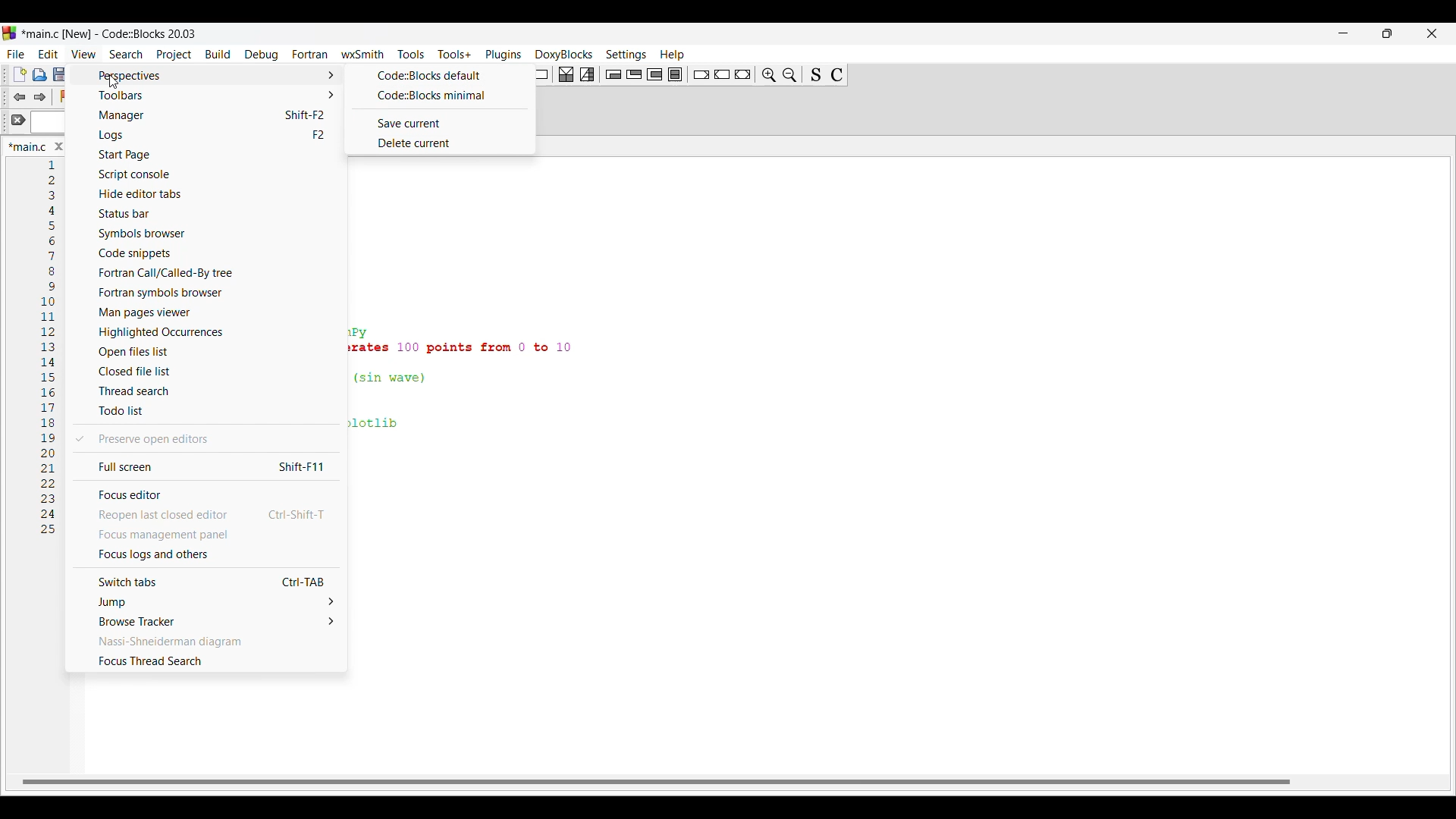 Image resolution: width=1456 pixels, height=819 pixels. What do you see at coordinates (564, 55) in the screenshot?
I see `DoxyBlocks menu` at bounding box center [564, 55].